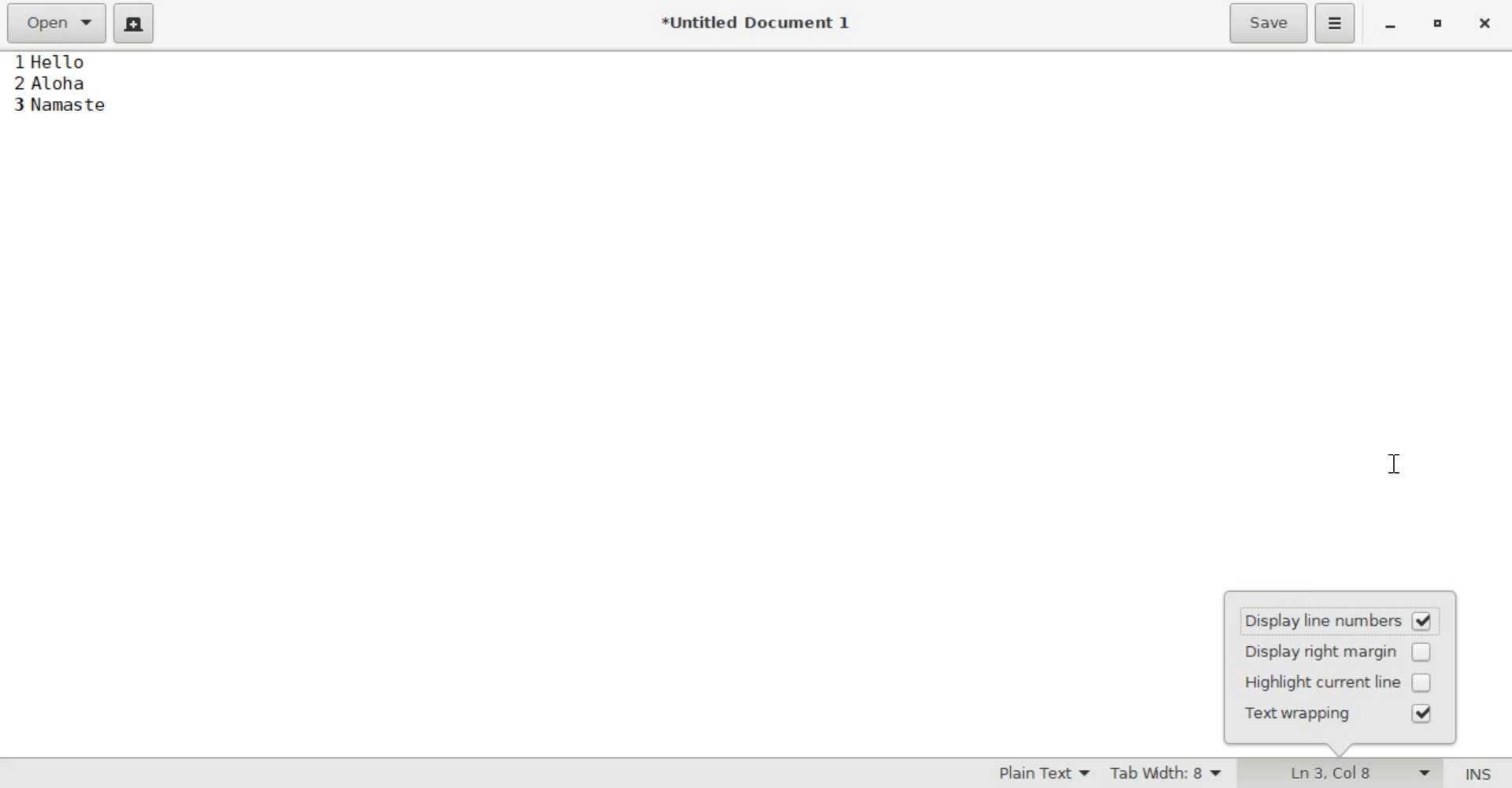 The width and height of the screenshot is (1512, 788). Describe the element at coordinates (1423, 713) in the screenshot. I see `Selected Checkbox` at that location.